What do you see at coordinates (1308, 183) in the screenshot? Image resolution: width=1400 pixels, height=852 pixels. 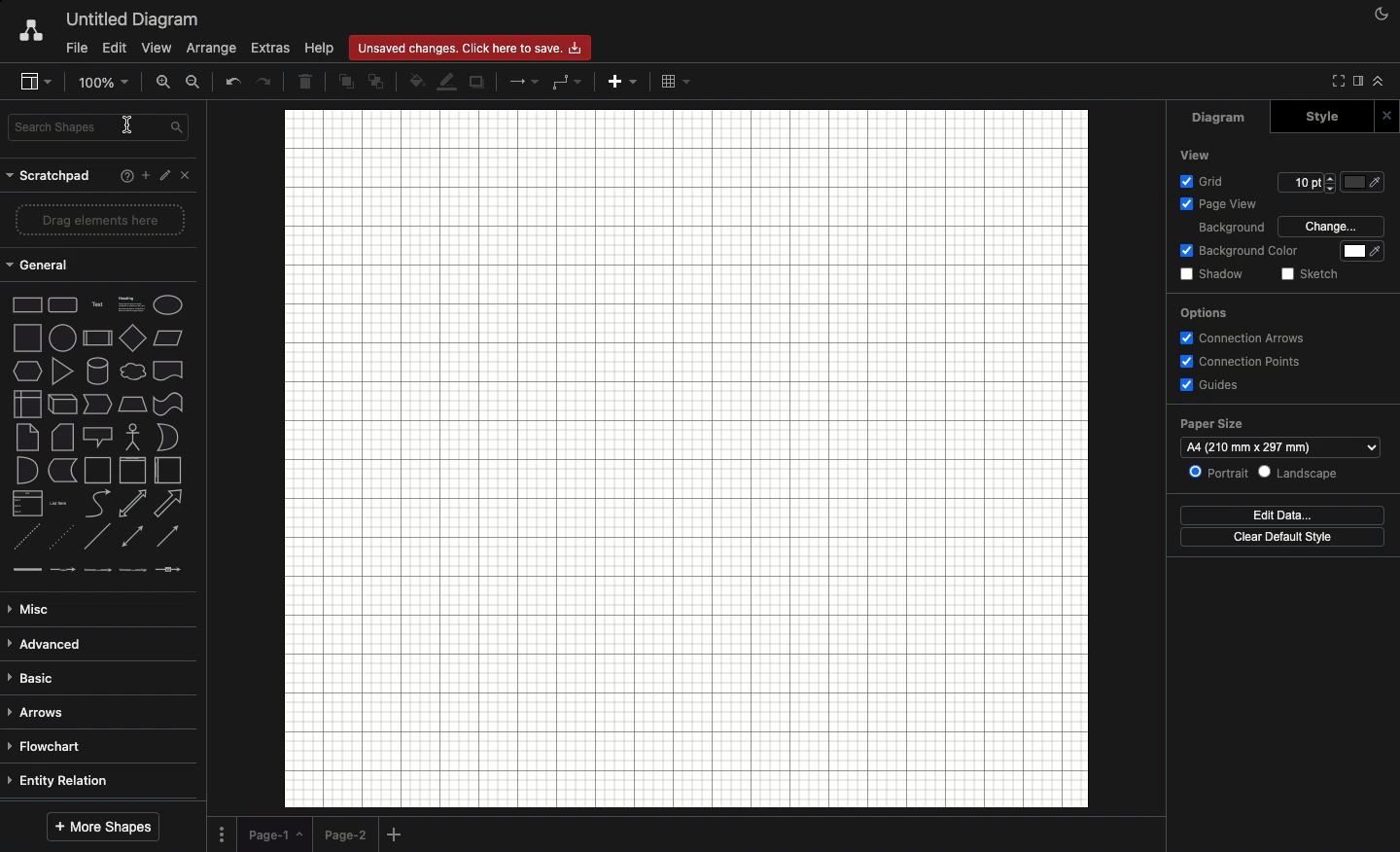 I see `Size` at bounding box center [1308, 183].